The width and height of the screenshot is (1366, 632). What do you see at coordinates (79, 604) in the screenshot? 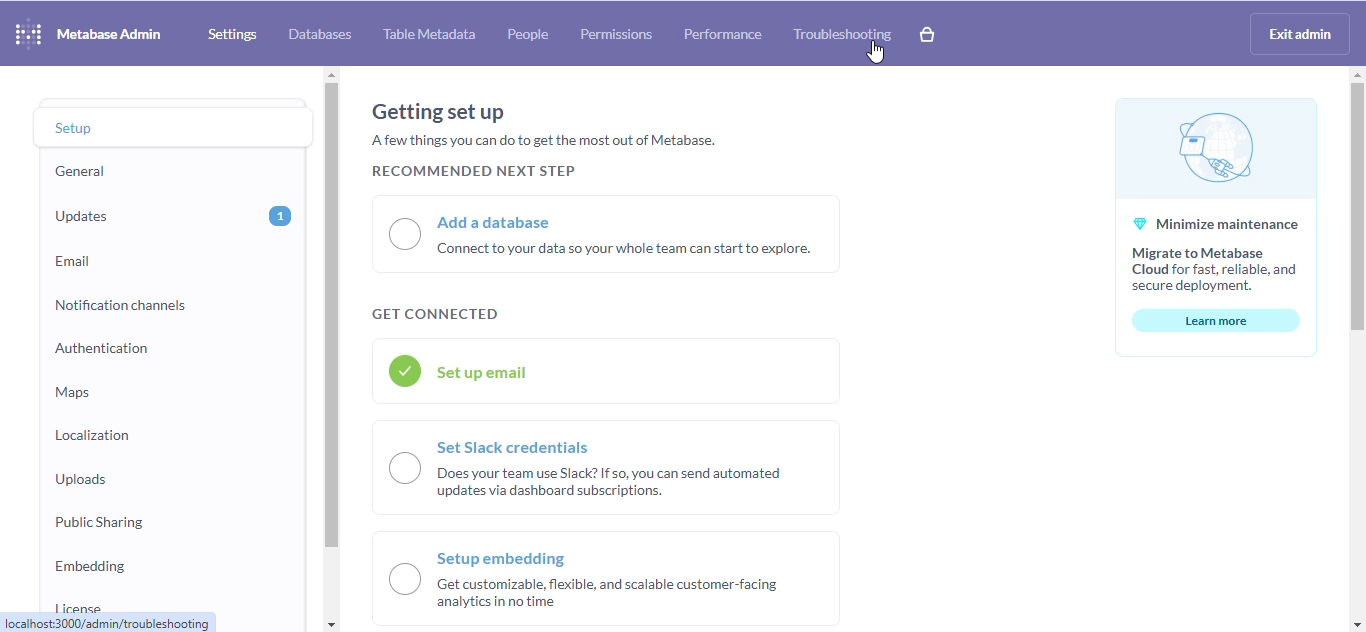
I see `license` at bounding box center [79, 604].